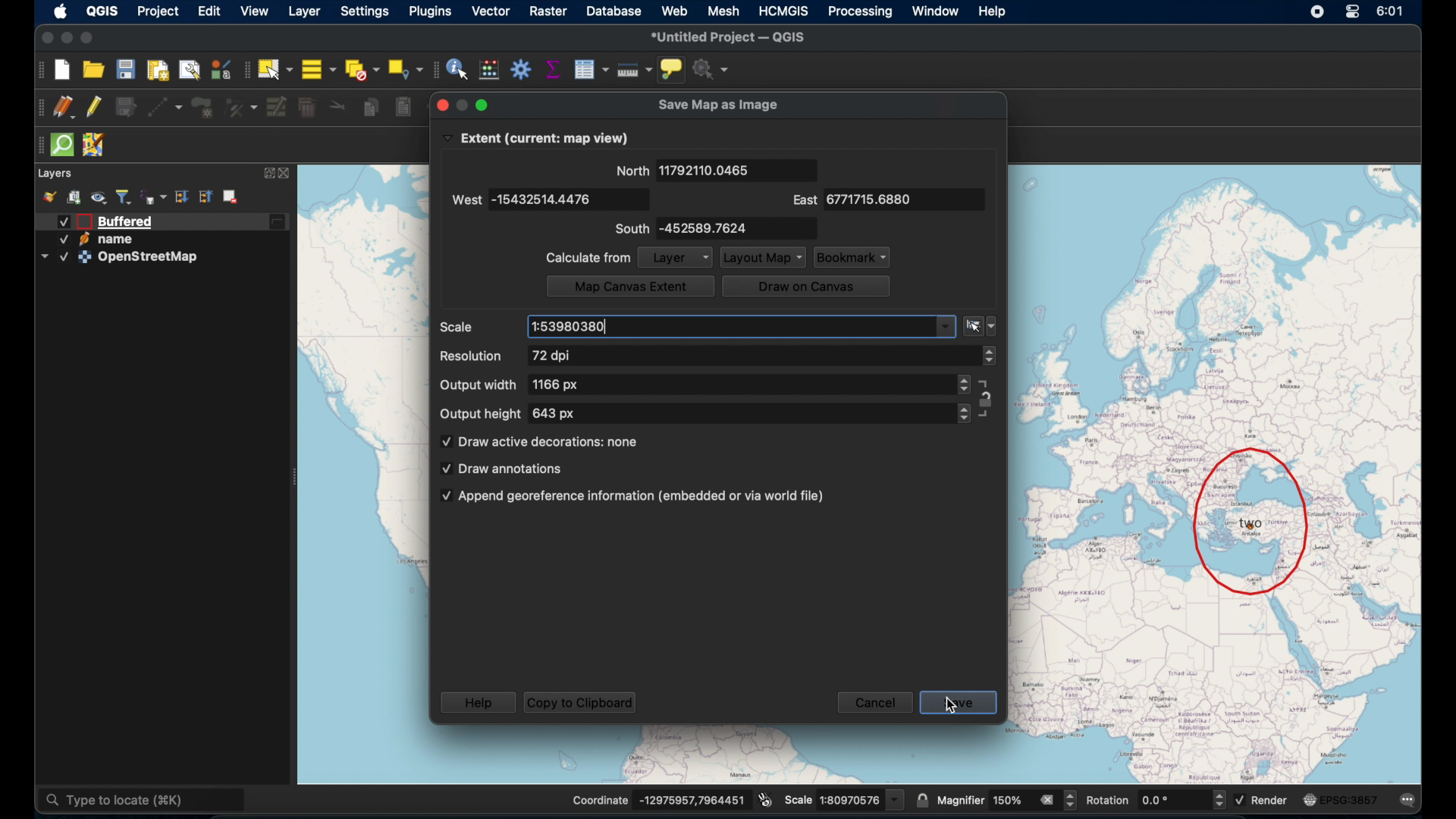 This screenshot has width=1456, height=819. I want to click on toolbox, so click(522, 71).